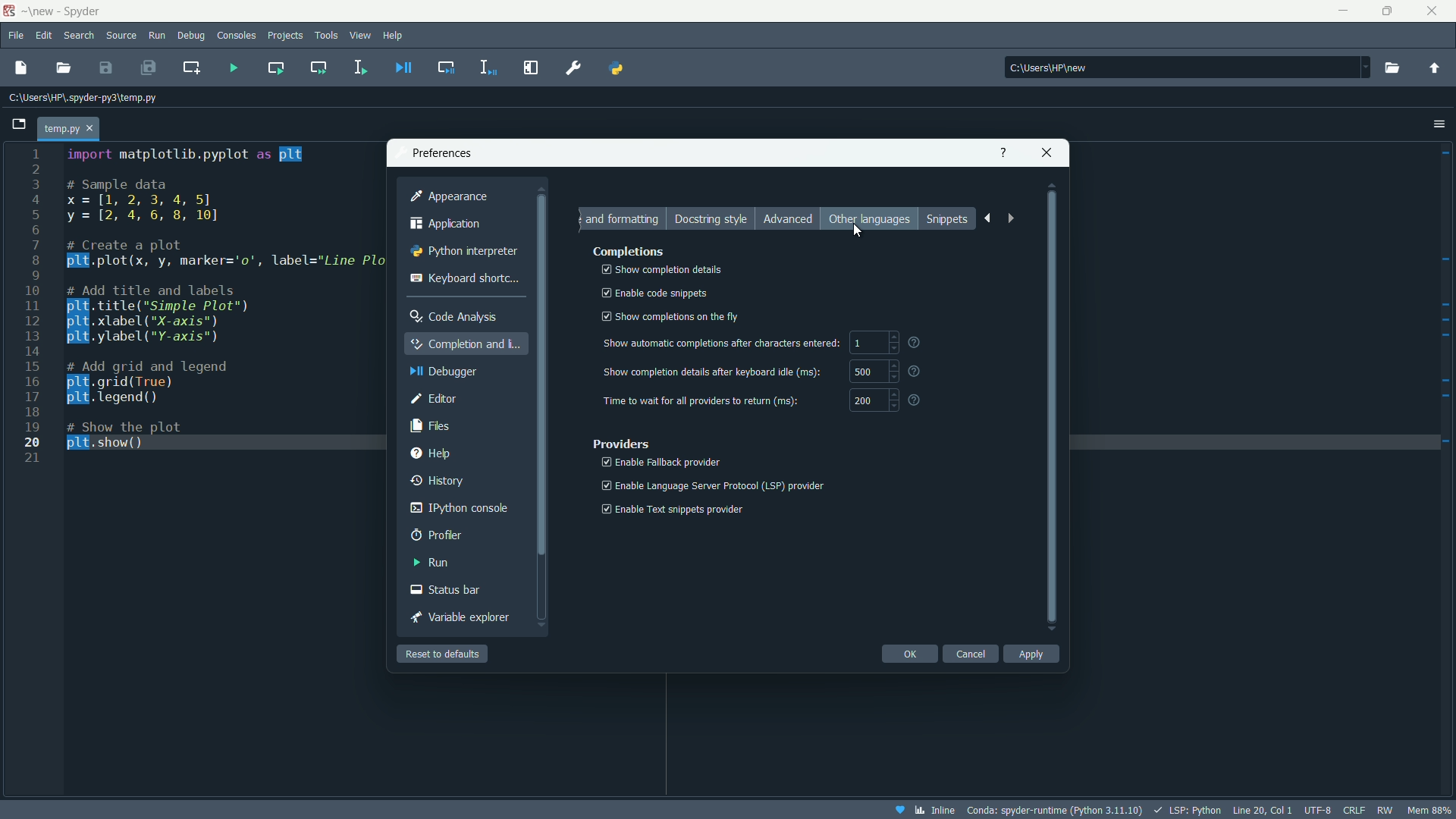 The image size is (1456, 819). Describe the element at coordinates (909, 654) in the screenshot. I see `ok` at that location.